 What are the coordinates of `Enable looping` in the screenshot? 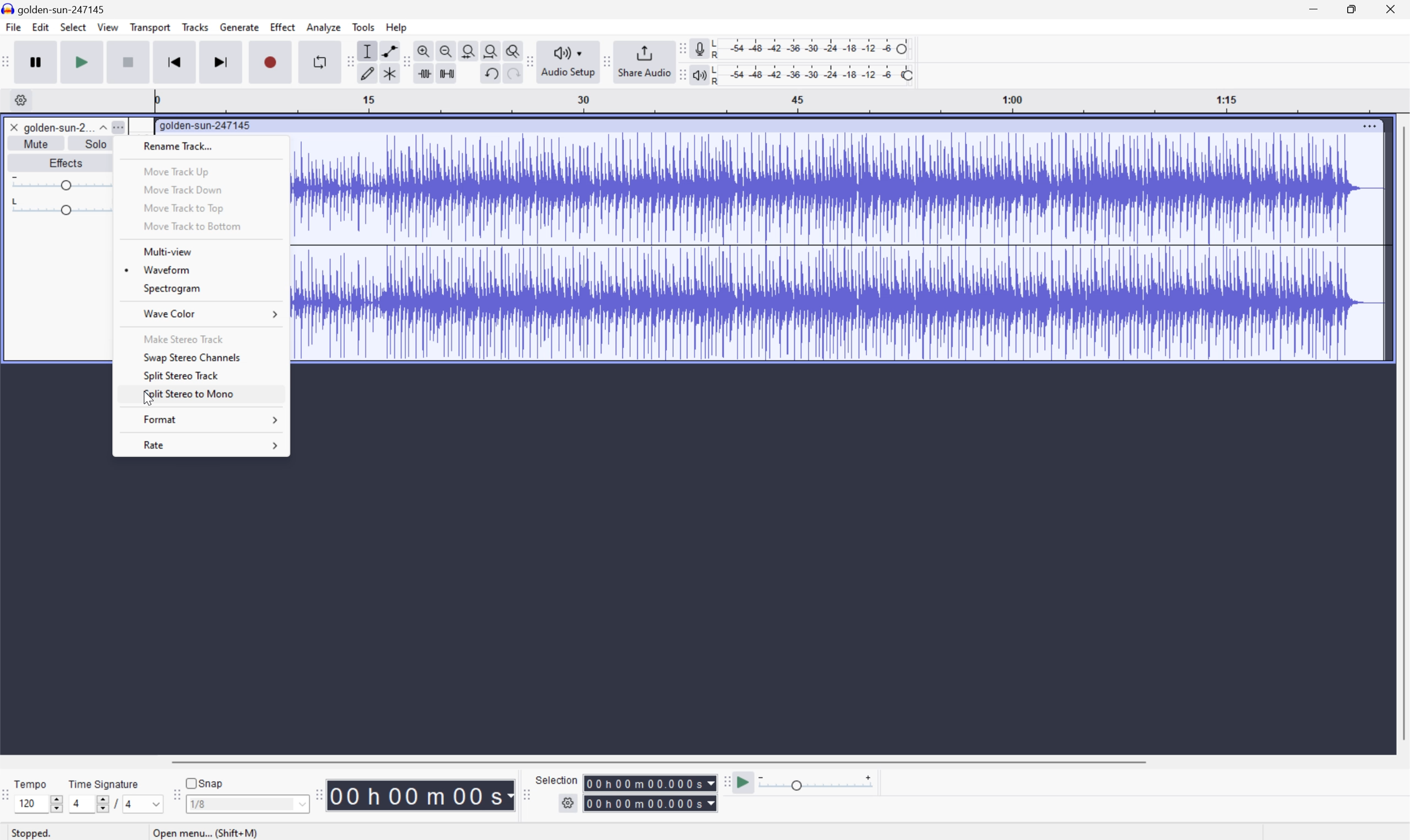 It's located at (318, 60).